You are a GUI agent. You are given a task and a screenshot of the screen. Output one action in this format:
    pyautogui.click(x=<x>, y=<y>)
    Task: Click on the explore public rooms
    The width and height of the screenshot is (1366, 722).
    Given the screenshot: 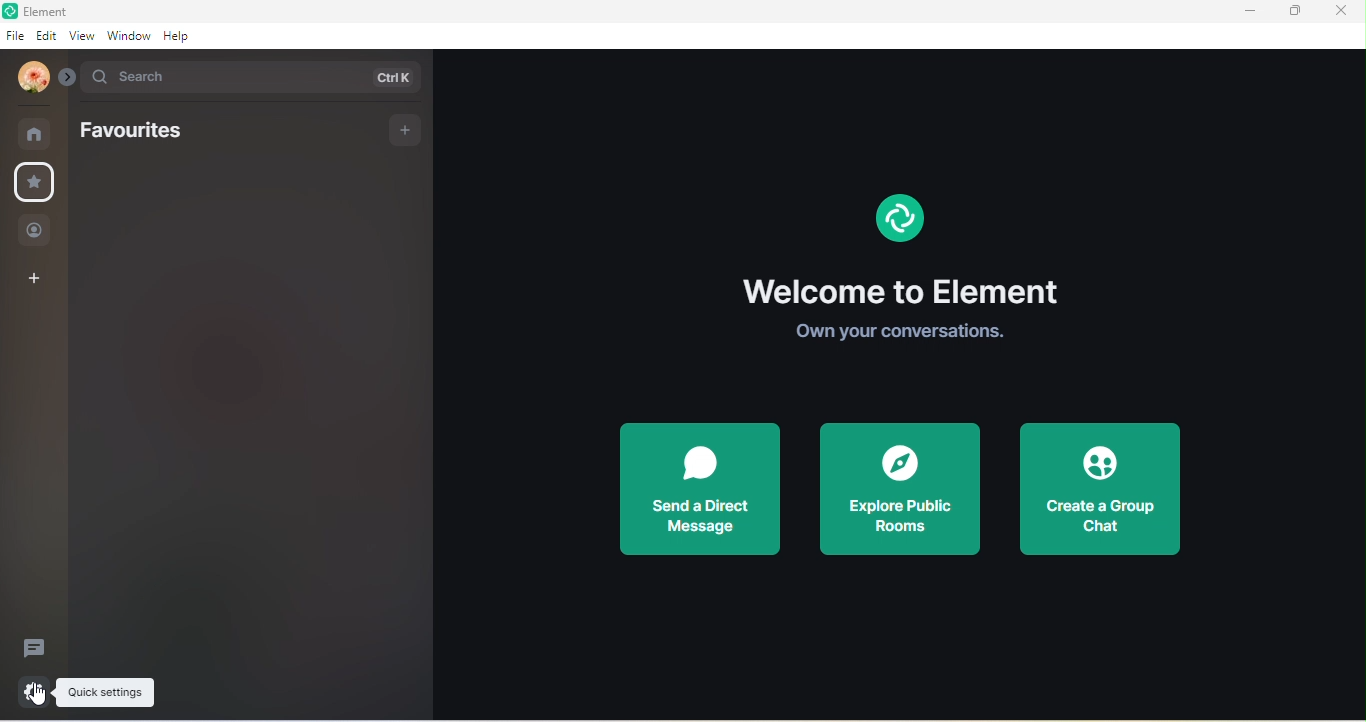 What is the action you would take?
    pyautogui.click(x=901, y=489)
    